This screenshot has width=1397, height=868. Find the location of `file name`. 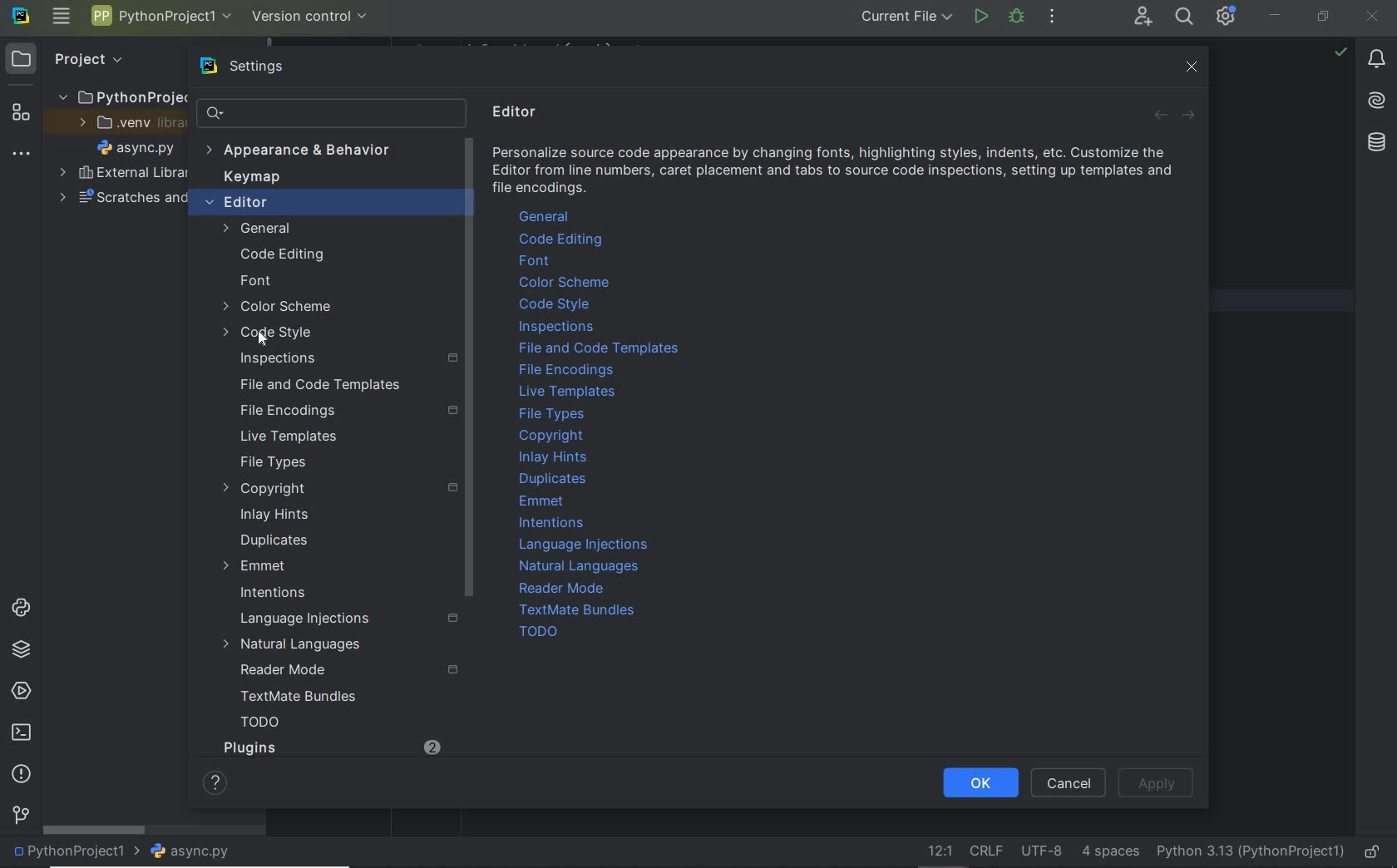

file name is located at coordinates (196, 851).